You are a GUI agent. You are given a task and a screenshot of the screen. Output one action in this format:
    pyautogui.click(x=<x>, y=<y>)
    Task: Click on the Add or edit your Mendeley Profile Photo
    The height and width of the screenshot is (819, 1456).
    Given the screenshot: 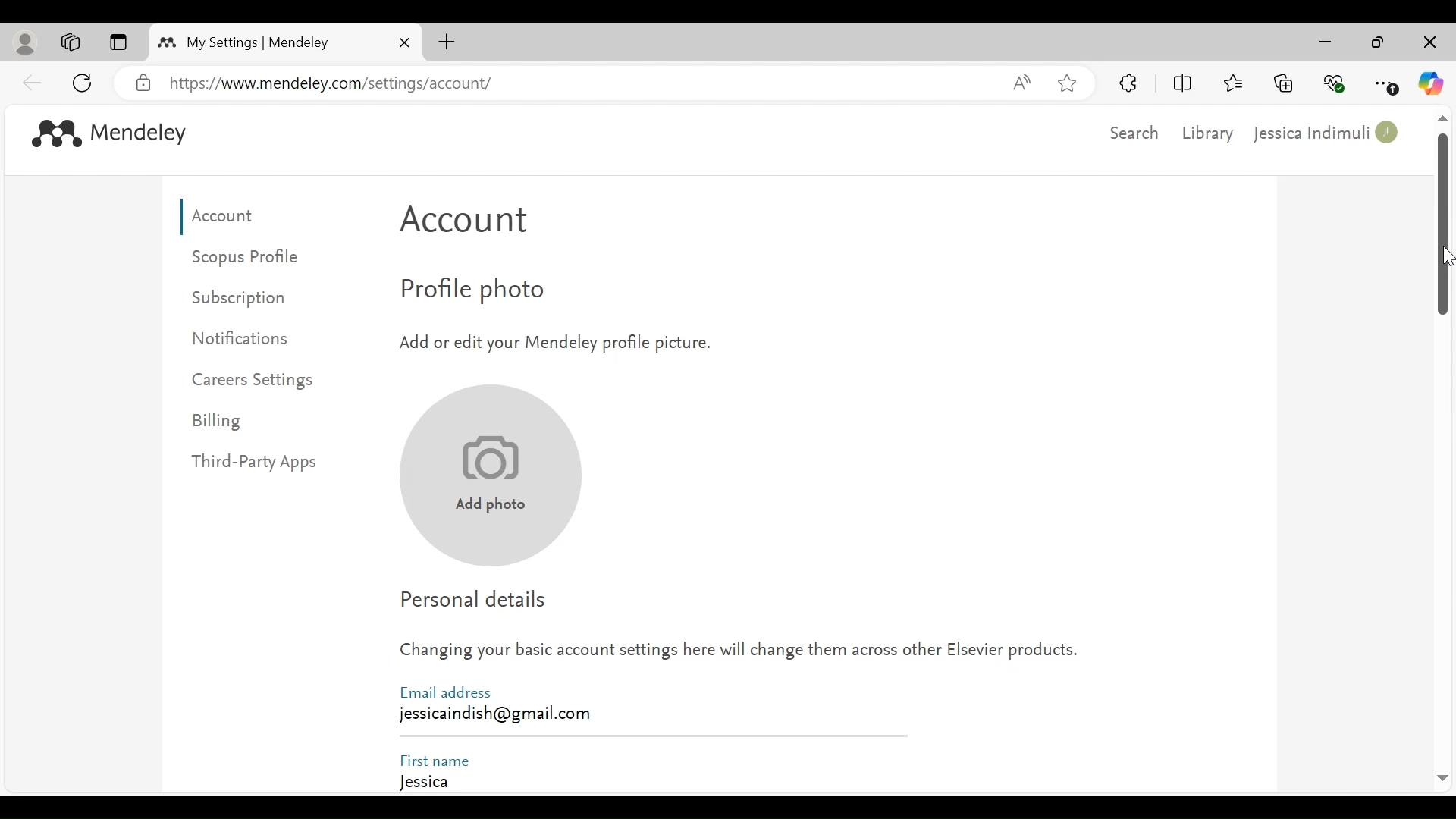 What is the action you would take?
    pyautogui.click(x=553, y=341)
    